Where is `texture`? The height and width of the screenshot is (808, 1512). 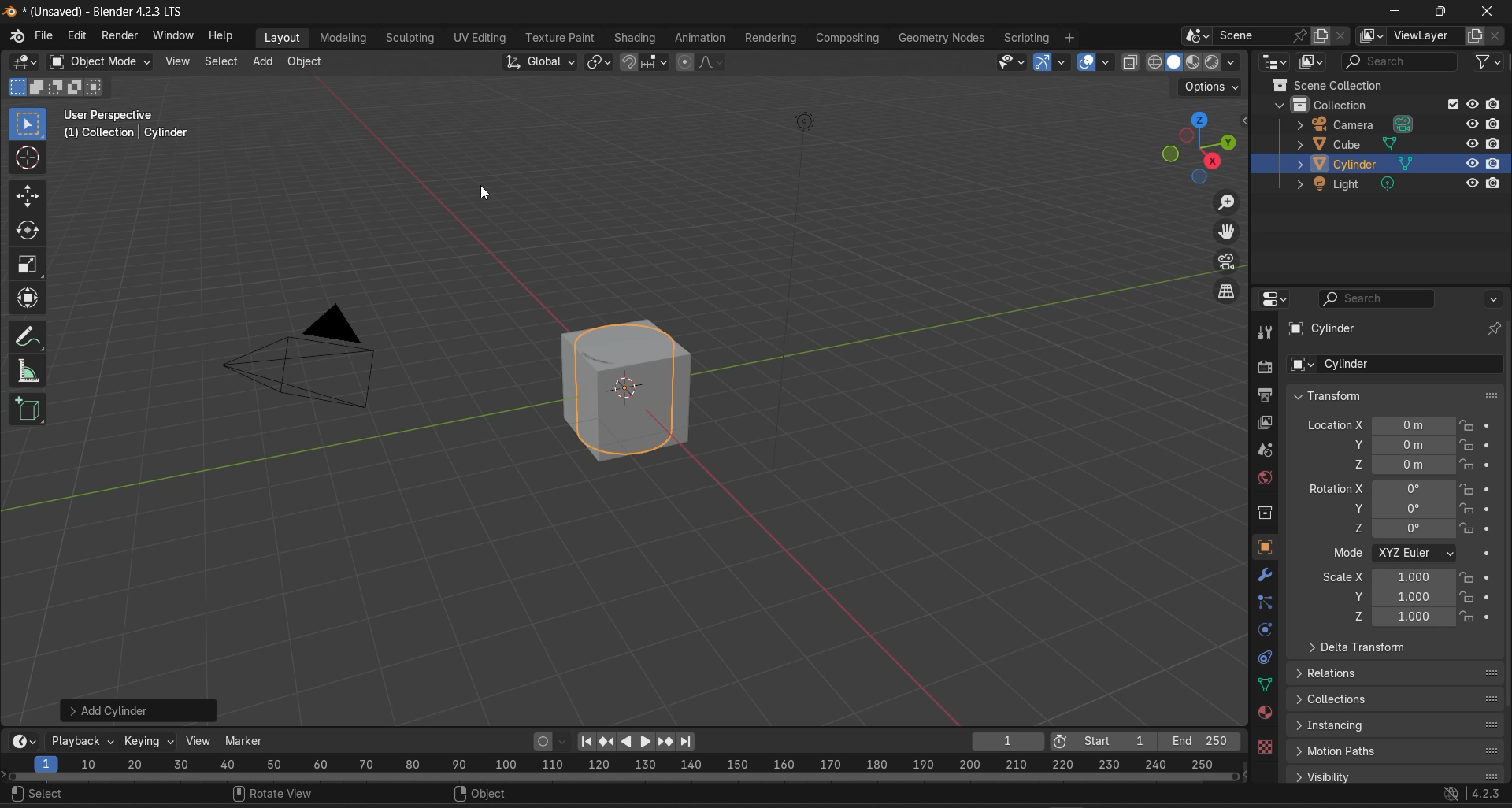 texture is located at coordinates (1265, 749).